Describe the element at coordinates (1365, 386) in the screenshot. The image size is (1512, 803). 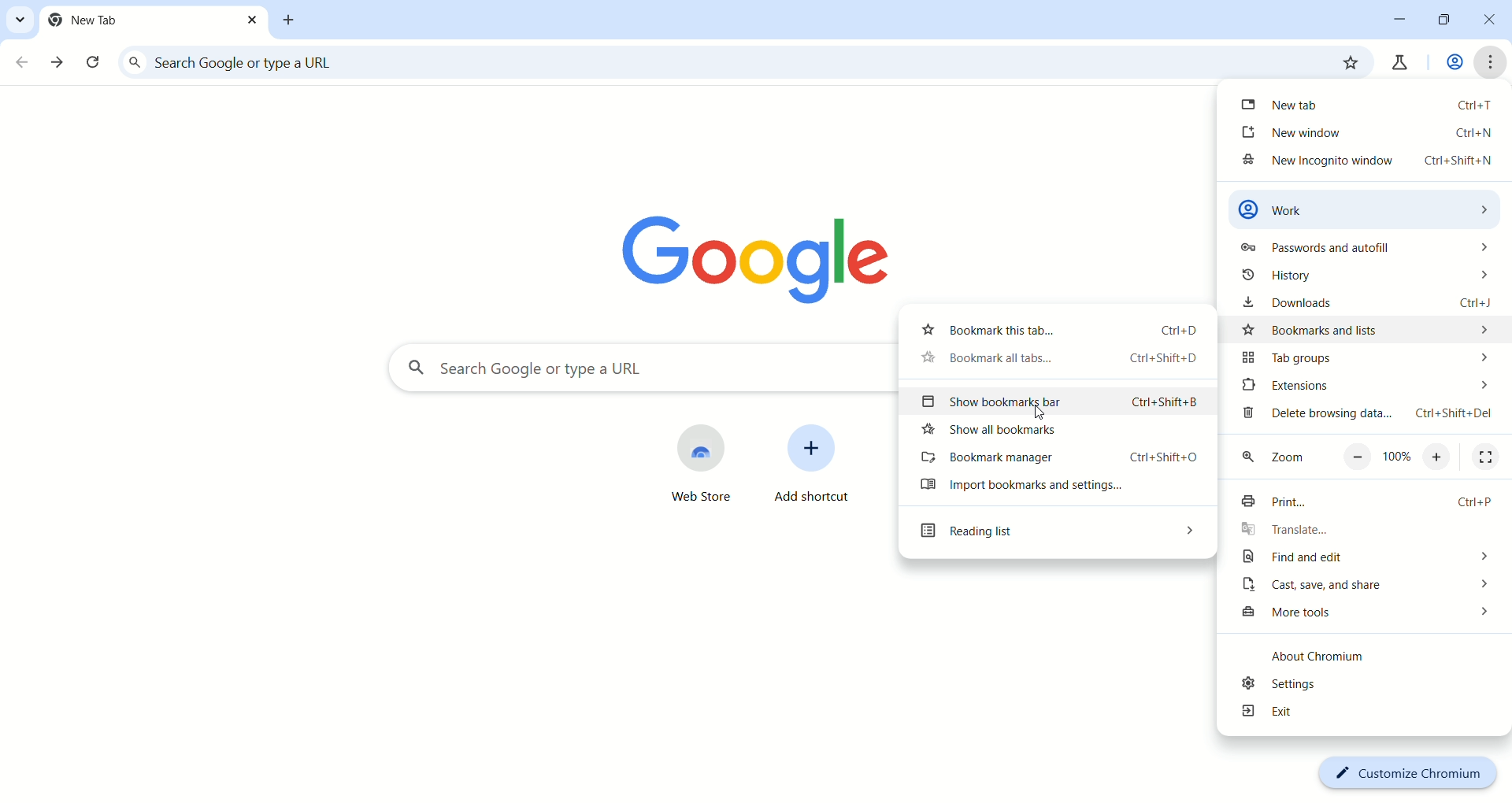
I see `extensions` at that location.